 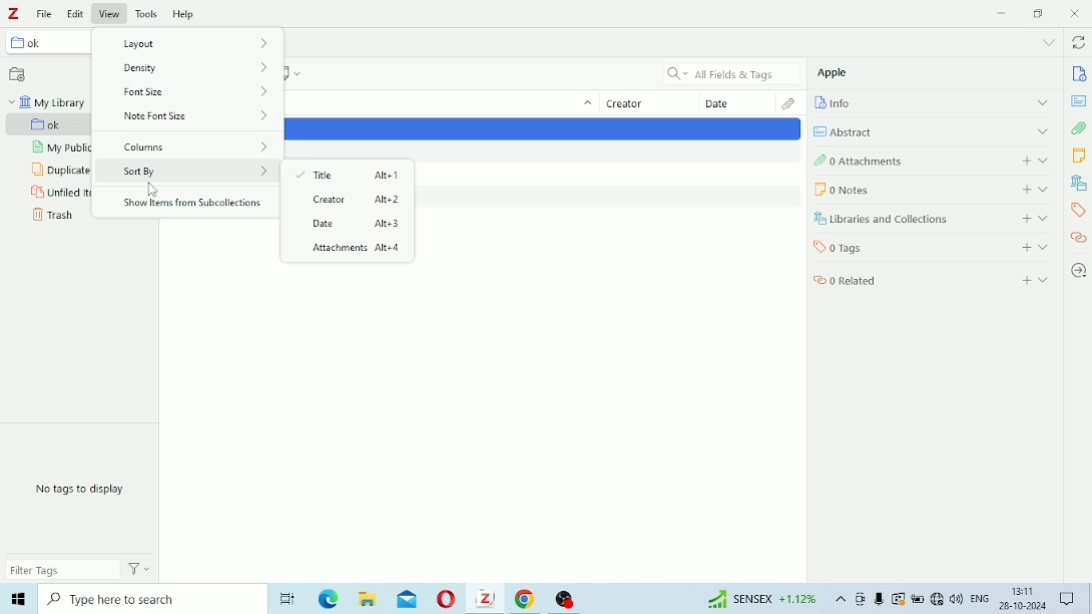 I want to click on Font Size, so click(x=196, y=94).